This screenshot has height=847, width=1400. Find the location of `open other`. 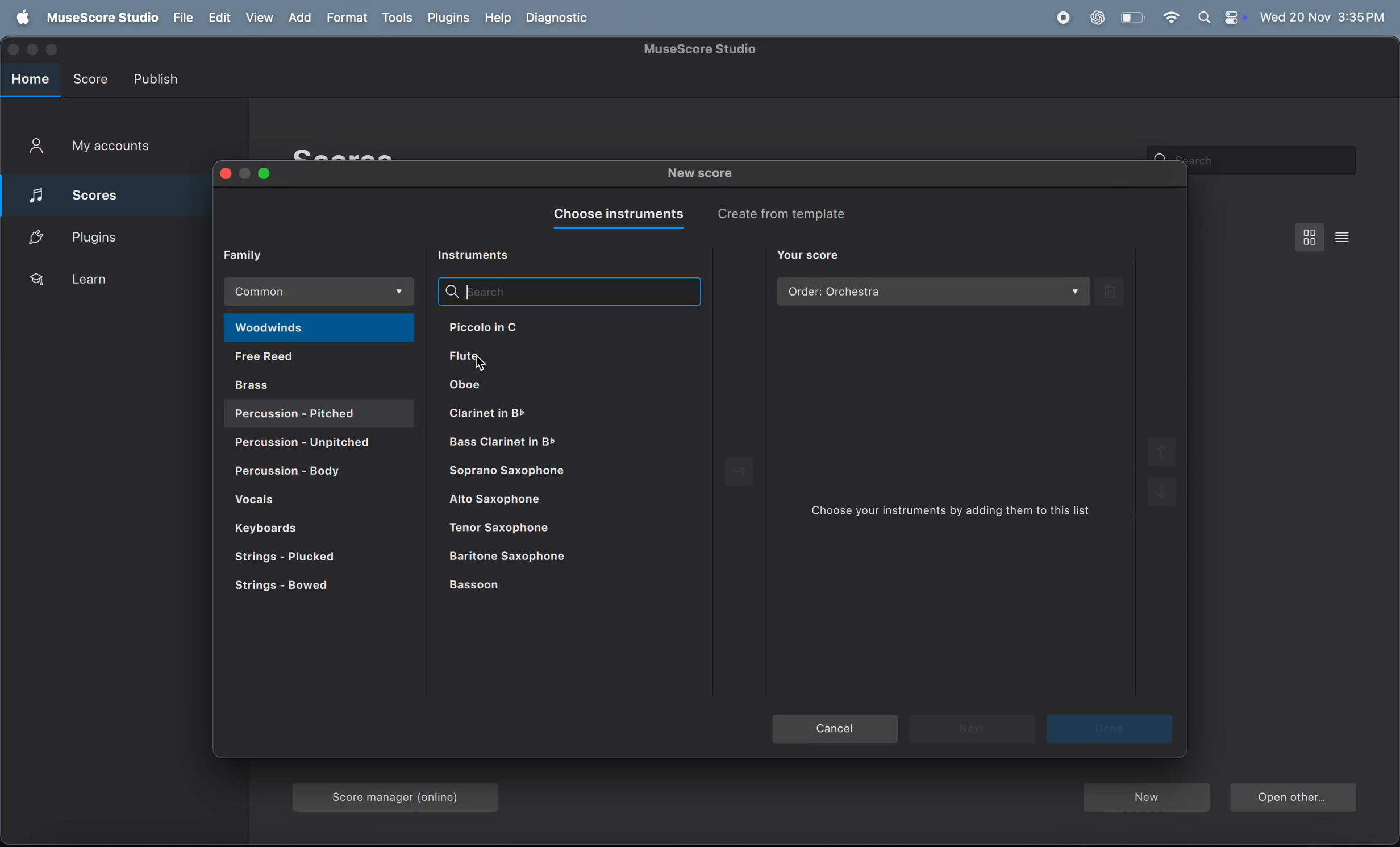

open other is located at coordinates (1293, 799).